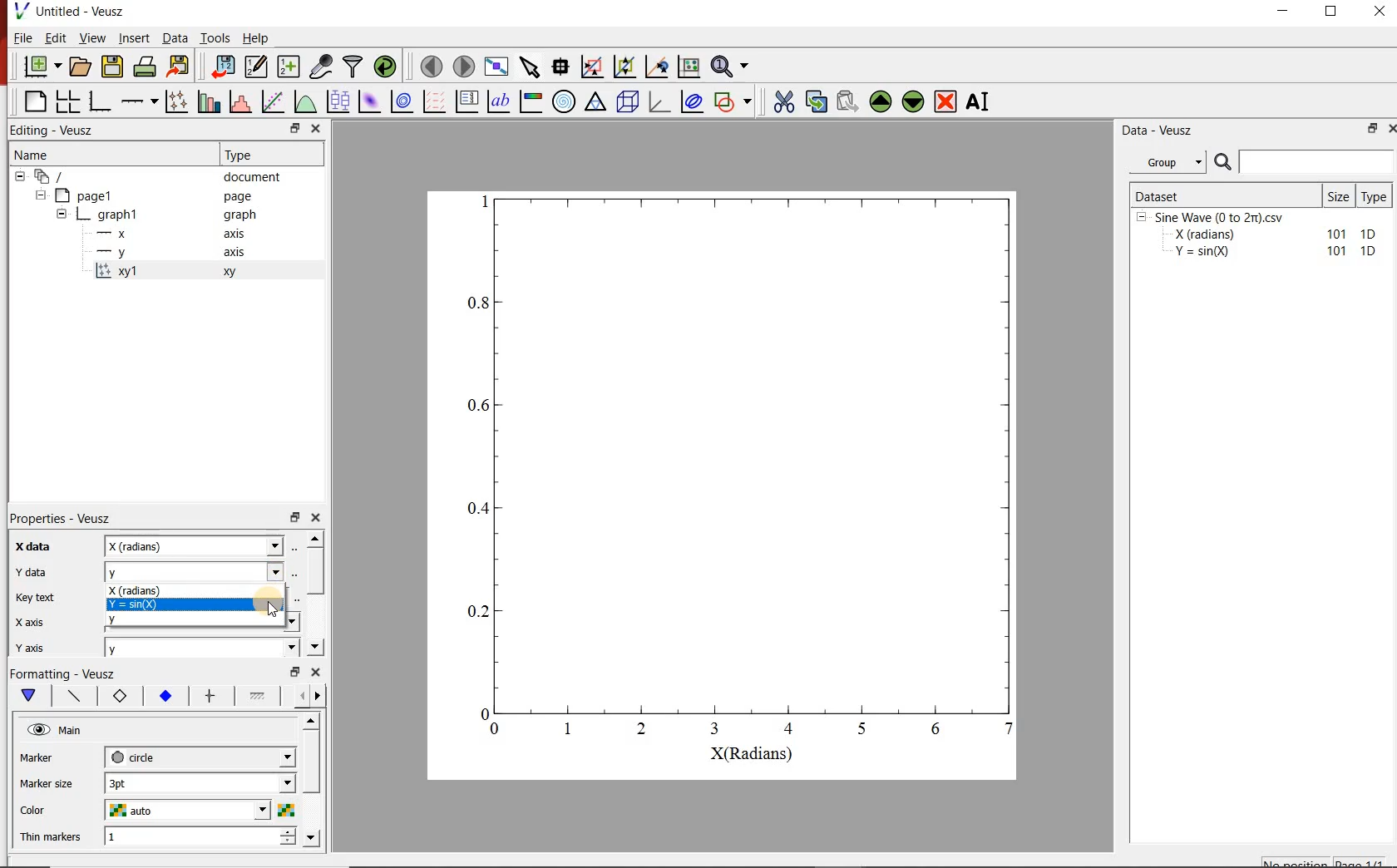 This screenshot has width=1397, height=868. Describe the element at coordinates (62, 672) in the screenshot. I see `Formatting - Veusz` at that location.